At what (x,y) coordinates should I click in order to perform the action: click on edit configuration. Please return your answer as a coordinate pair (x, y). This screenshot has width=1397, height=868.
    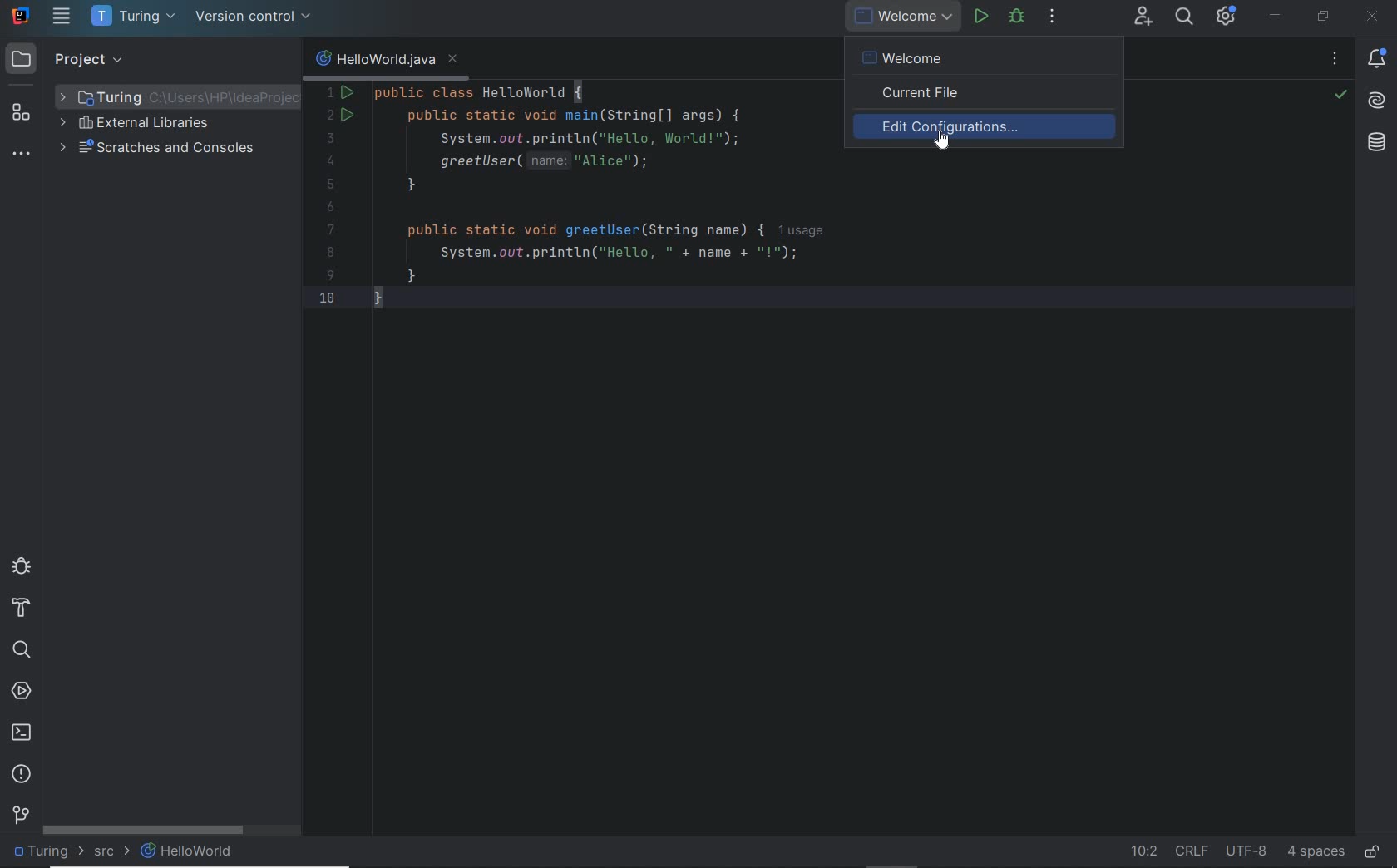
    Looking at the image, I should click on (991, 126).